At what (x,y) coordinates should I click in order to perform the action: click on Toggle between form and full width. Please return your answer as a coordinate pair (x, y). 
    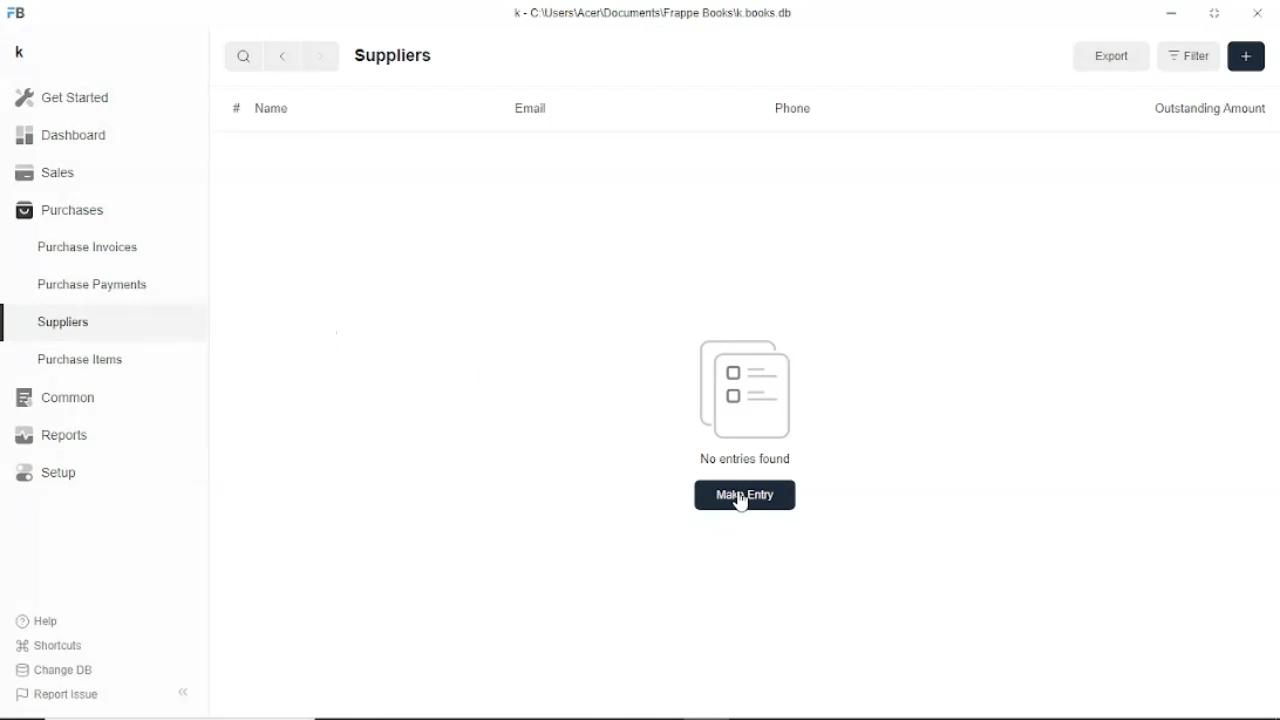
    Looking at the image, I should click on (1214, 13).